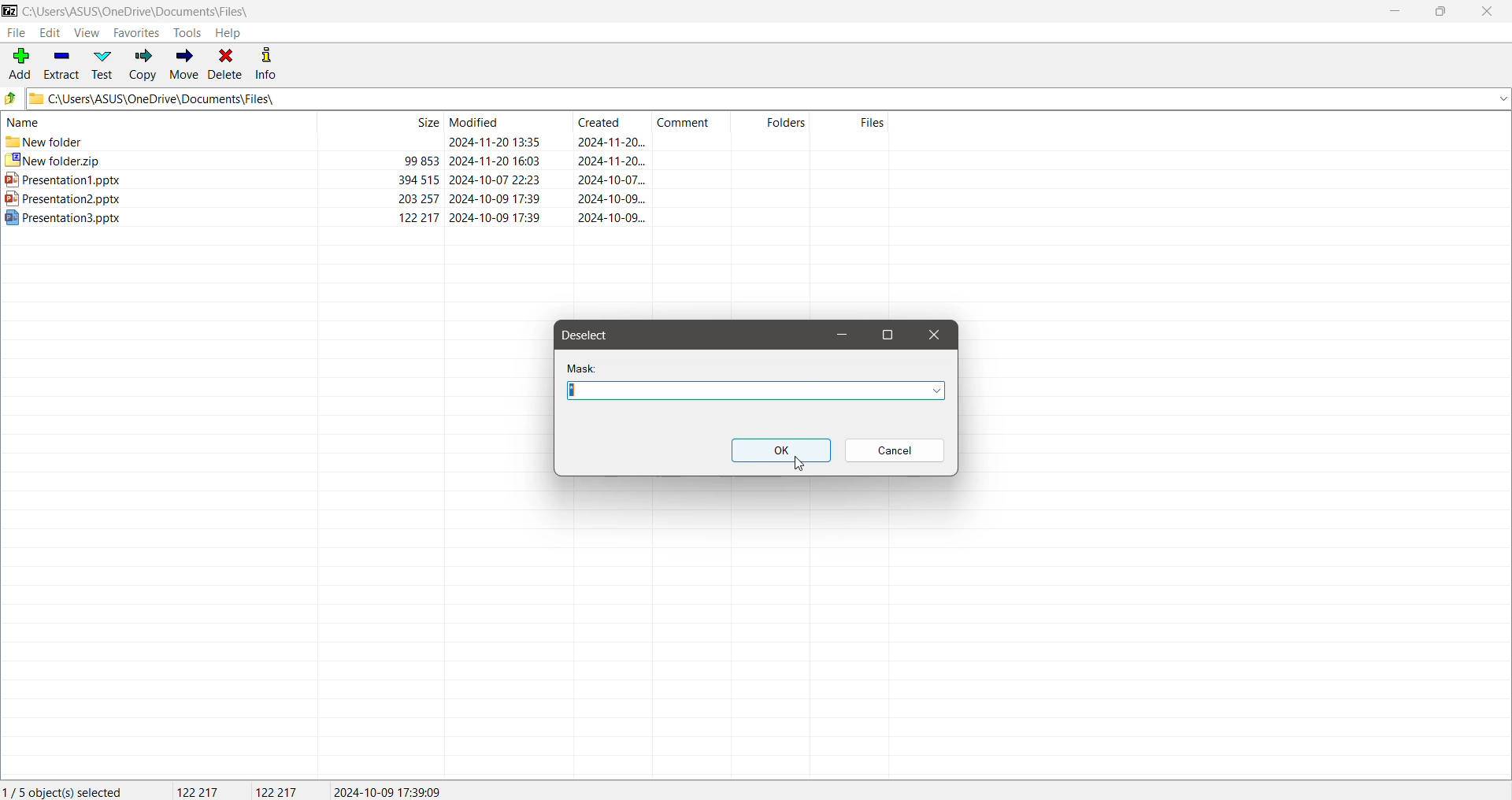  I want to click on Modified date of the selected file, so click(395, 791).